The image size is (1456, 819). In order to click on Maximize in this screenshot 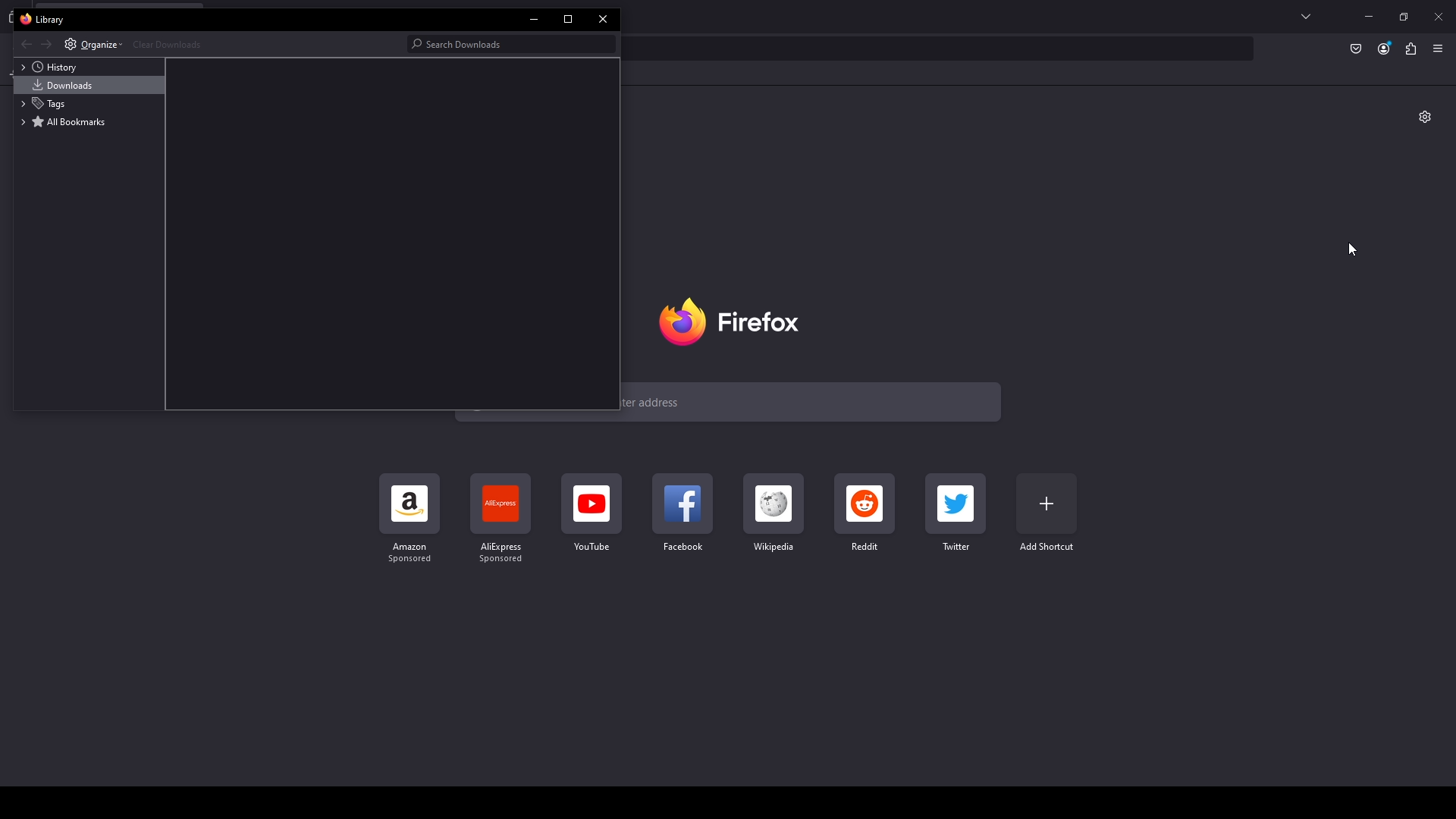, I will do `click(1404, 18)`.